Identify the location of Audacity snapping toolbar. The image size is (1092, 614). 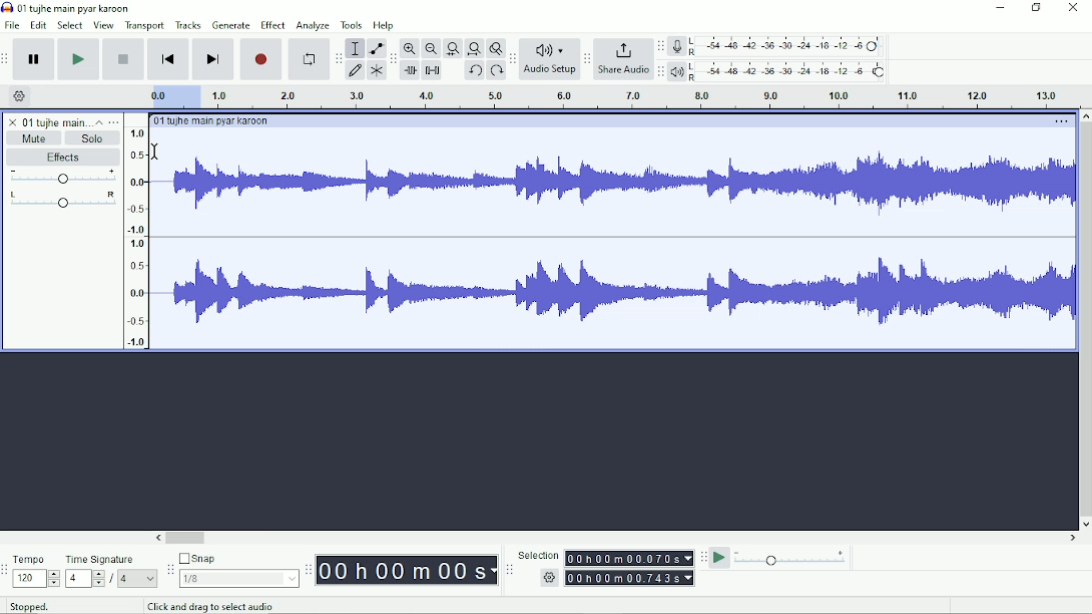
(169, 569).